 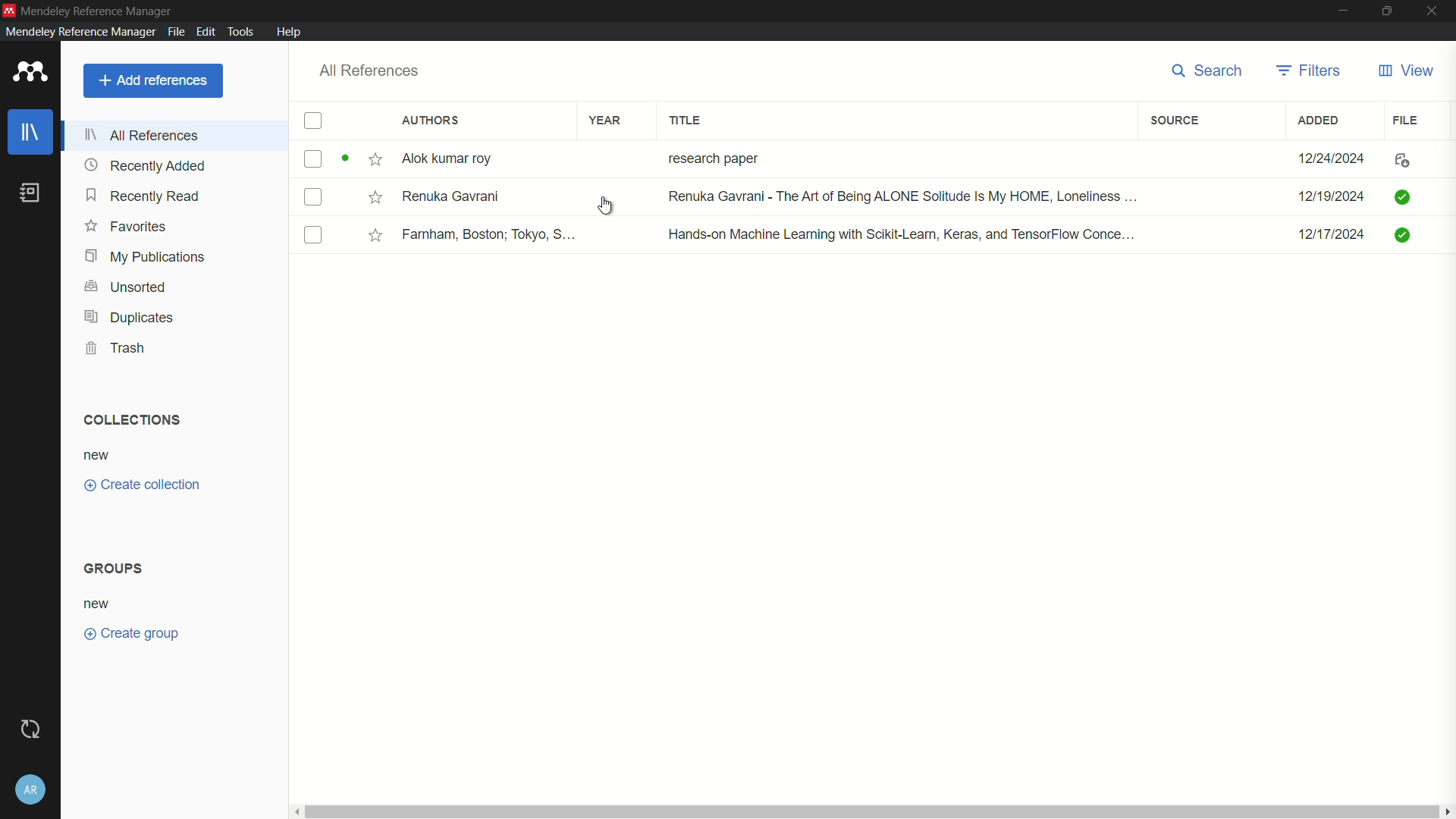 What do you see at coordinates (101, 604) in the screenshot?
I see `new` at bounding box center [101, 604].